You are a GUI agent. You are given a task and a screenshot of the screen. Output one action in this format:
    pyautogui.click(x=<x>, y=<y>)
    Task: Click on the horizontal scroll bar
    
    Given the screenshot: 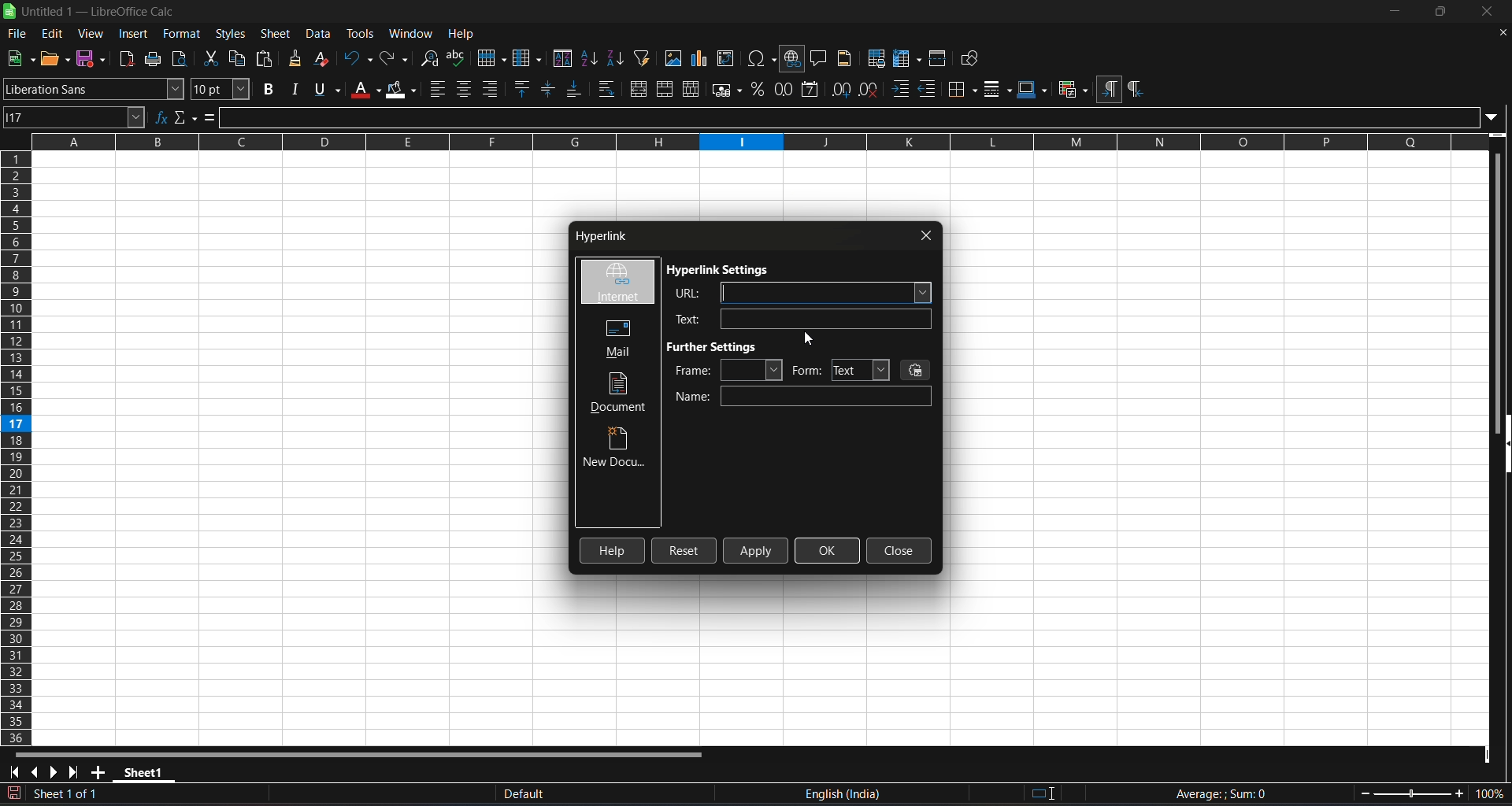 What is the action you would take?
    pyautogui.click(x=370, y=749)
    